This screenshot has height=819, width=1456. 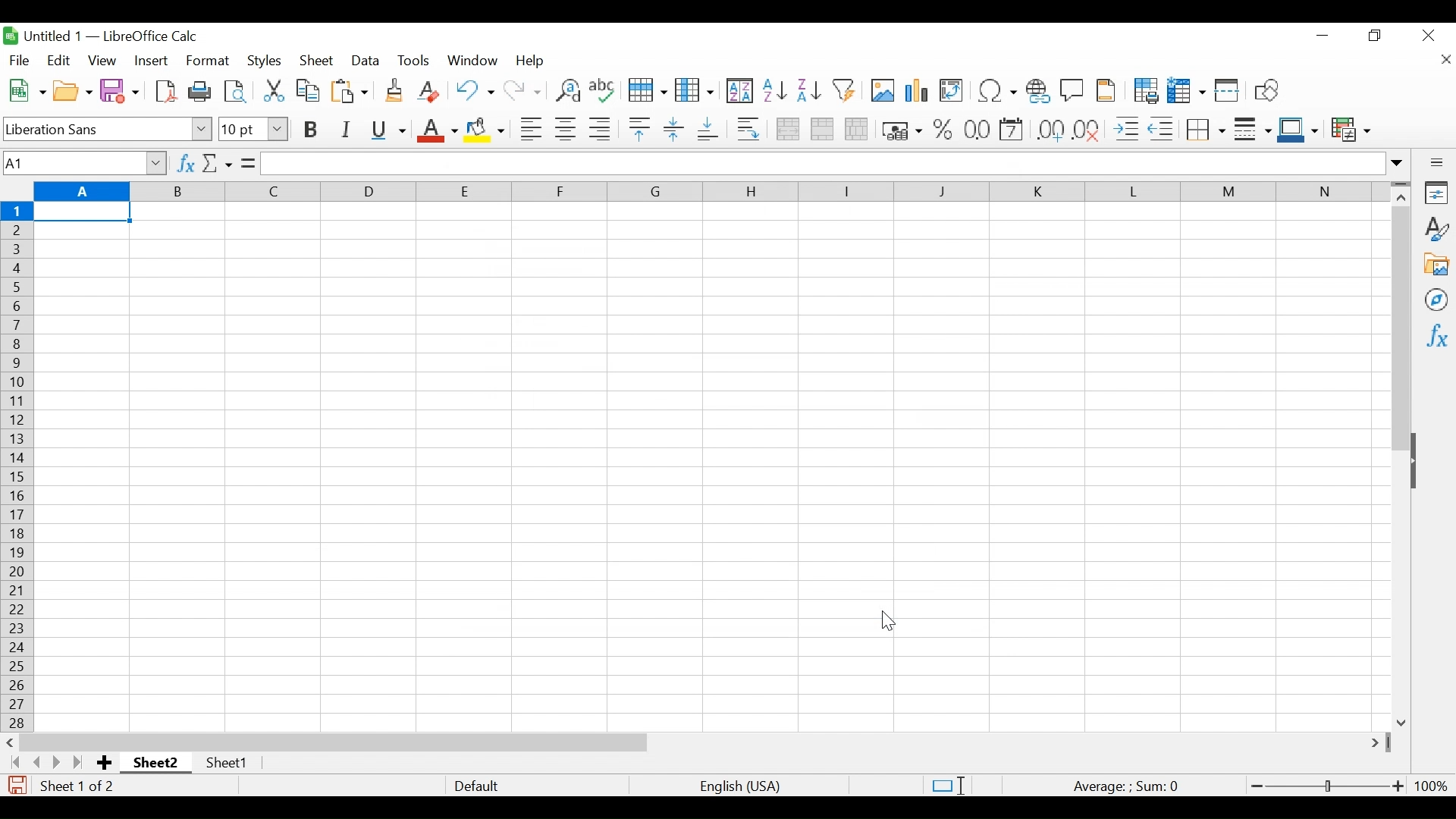 What do you see at coordinates (1131, 784) in the screenshot?
I see `Formula` at bounding box center [1131, 784].